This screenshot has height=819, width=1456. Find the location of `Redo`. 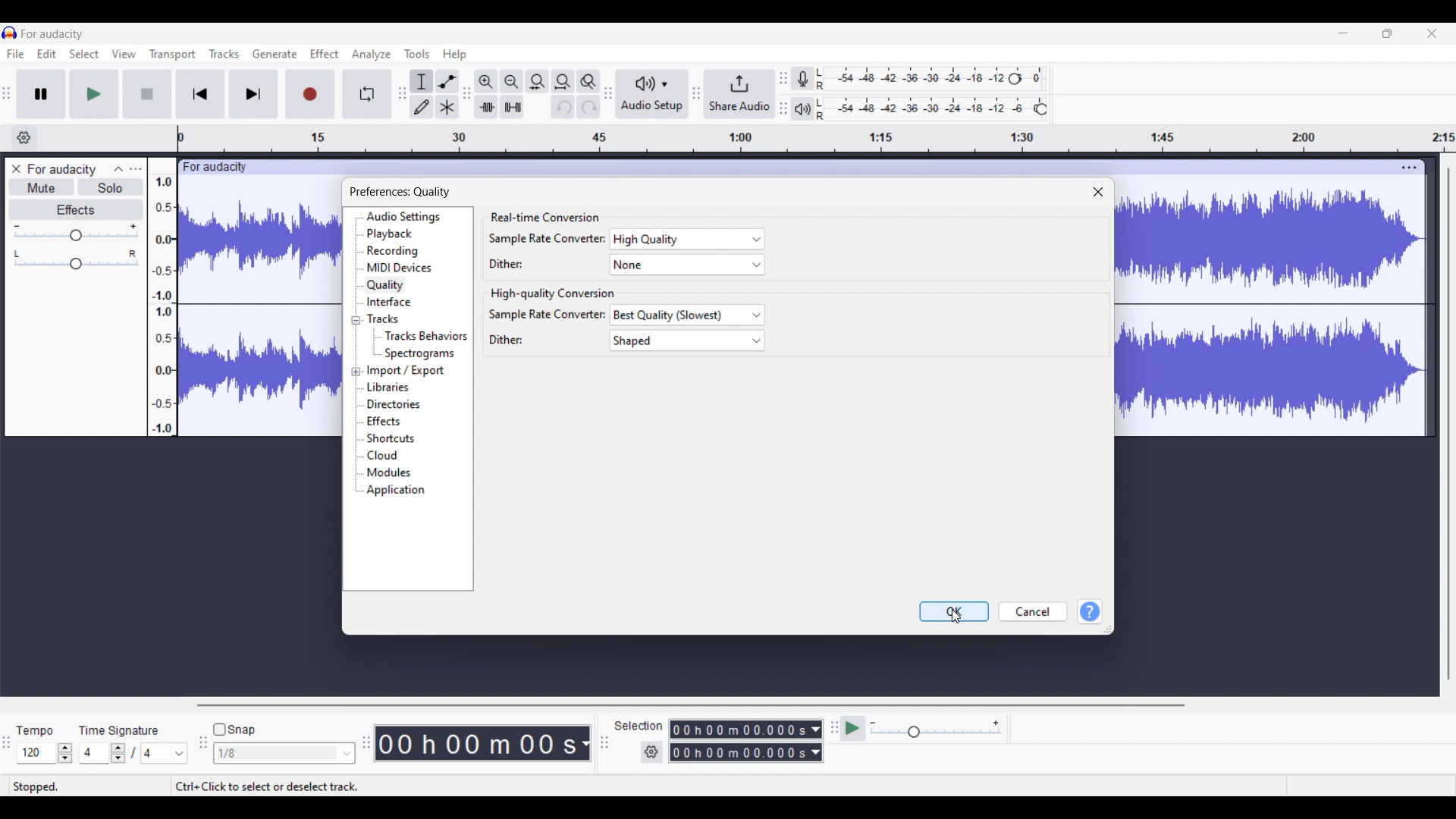

Redo is located at coordinates (588, 107).